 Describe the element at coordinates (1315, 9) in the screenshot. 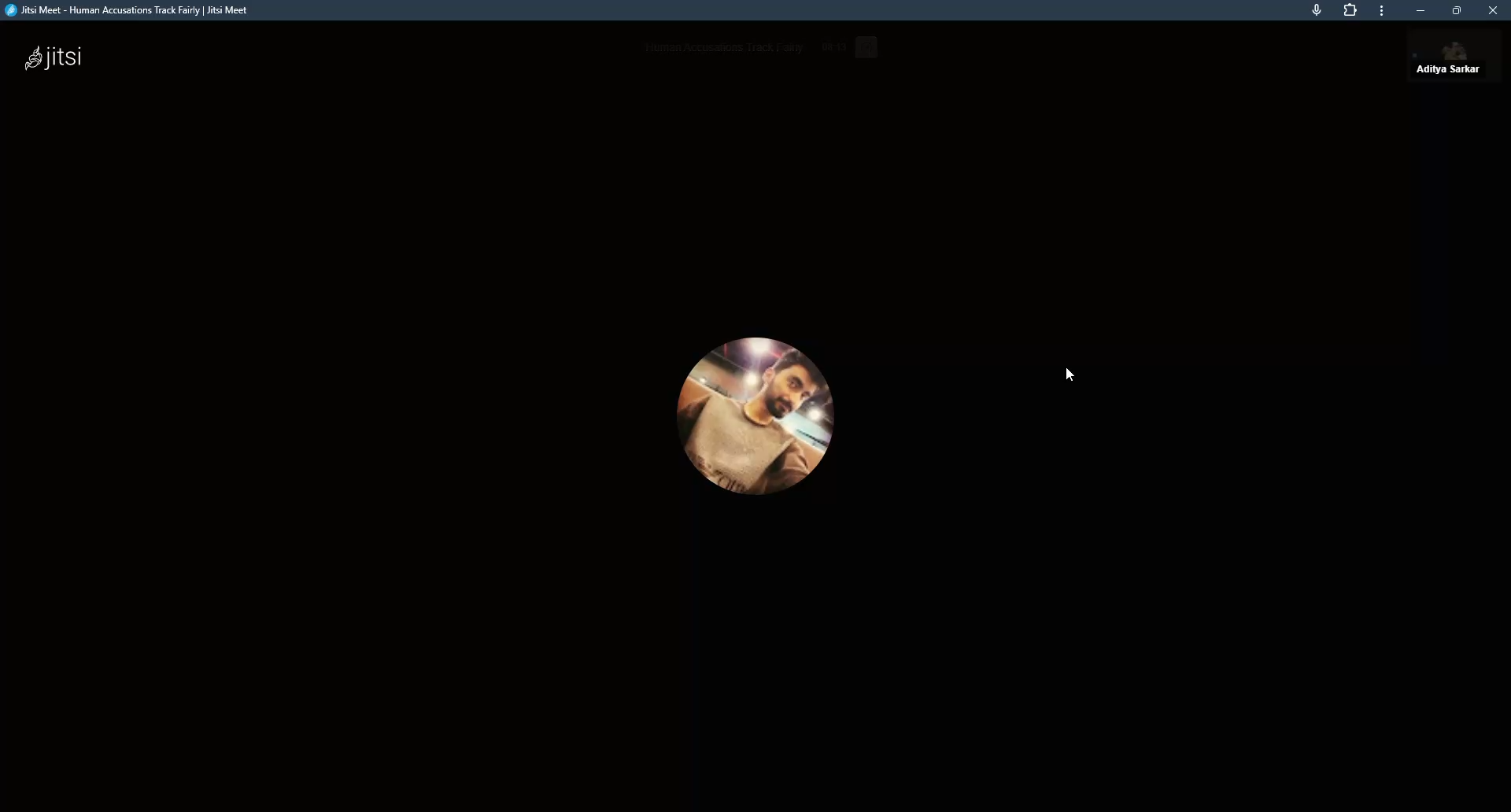

I see `mic` at that location.